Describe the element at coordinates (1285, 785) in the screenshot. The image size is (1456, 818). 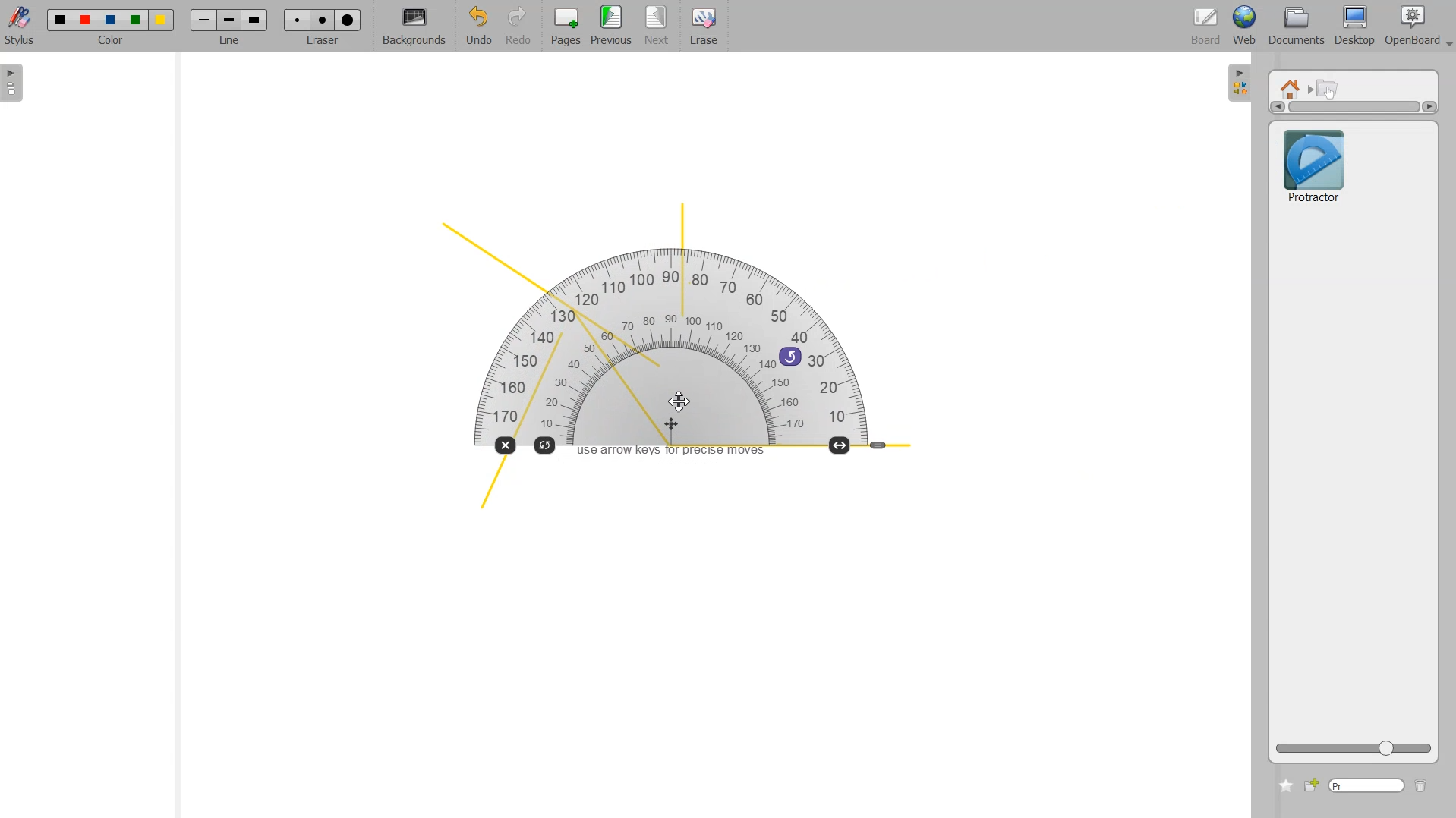
I see `Add to favorite` at that location.